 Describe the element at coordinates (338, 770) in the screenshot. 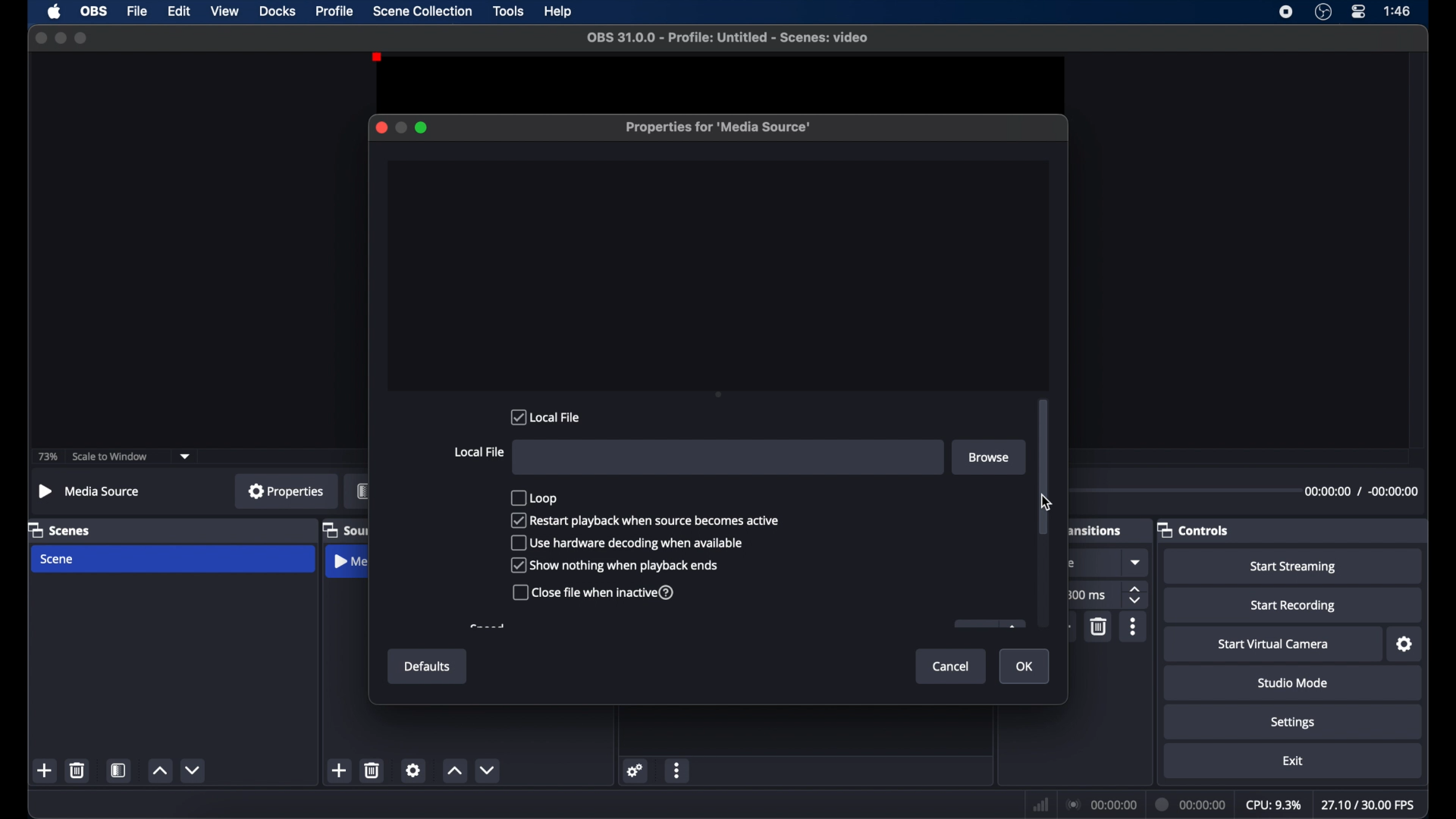

I see `add` at that location.